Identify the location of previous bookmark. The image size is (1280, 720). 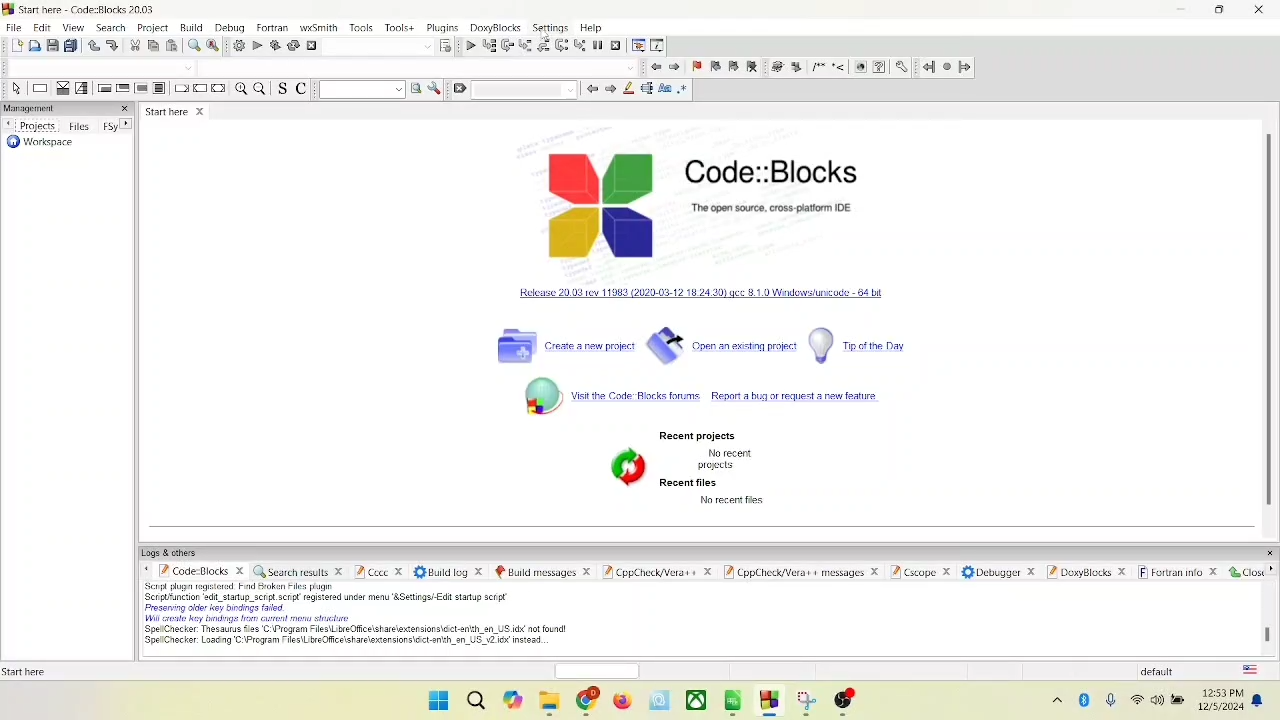
(715, 65).